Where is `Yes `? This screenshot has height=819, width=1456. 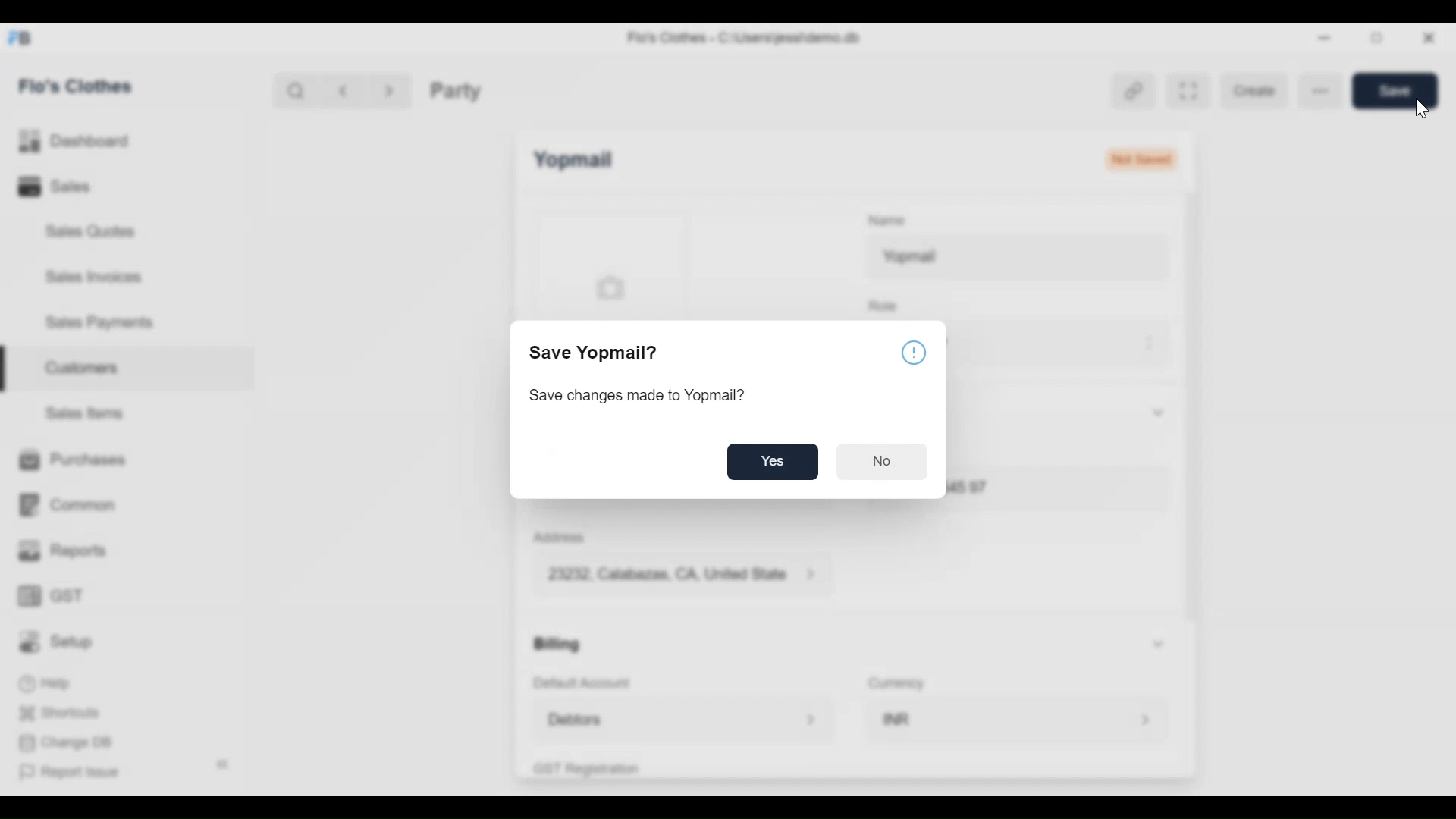 Yes  is located at coordinates (773, 462).